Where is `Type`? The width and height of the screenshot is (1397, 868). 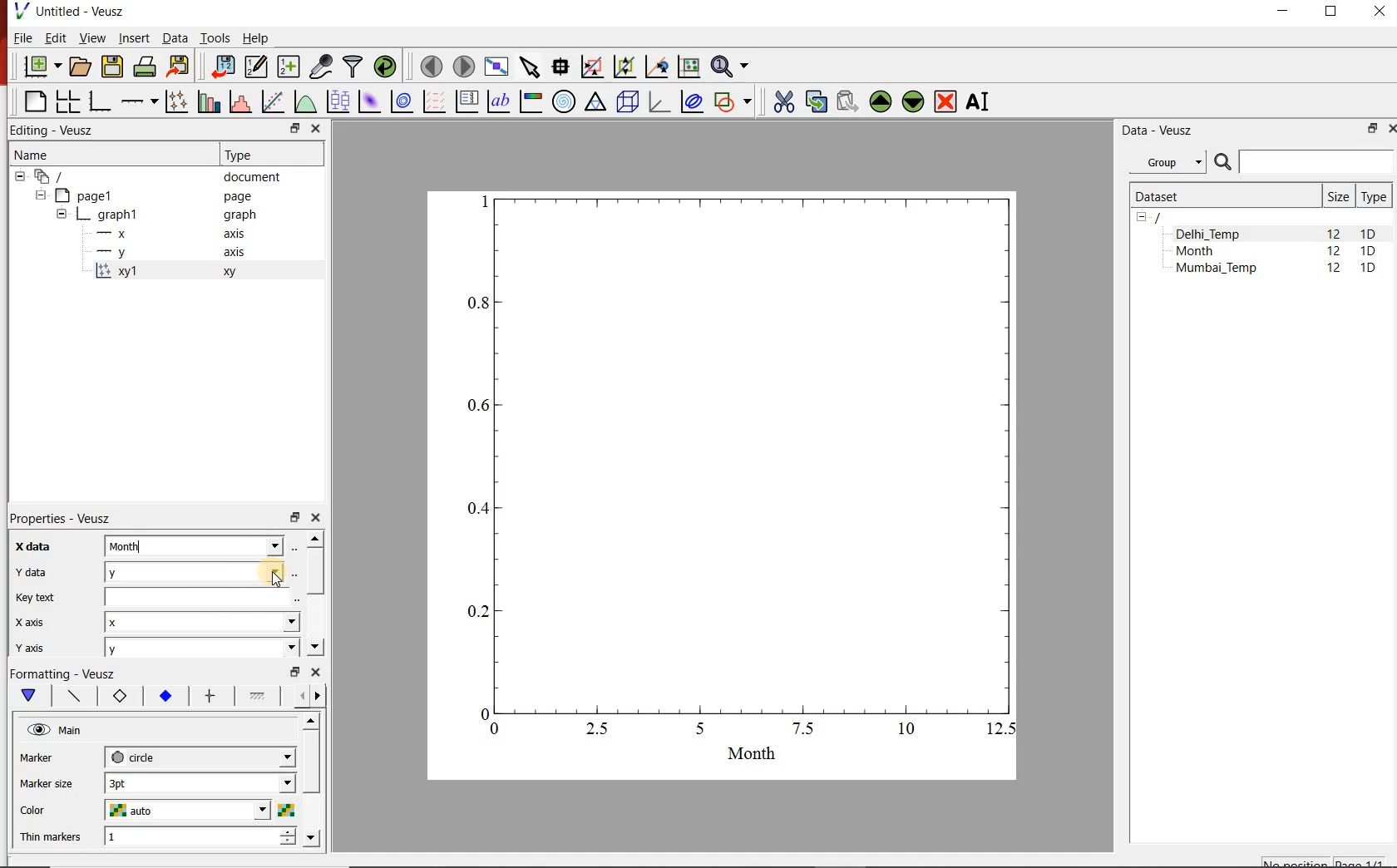
Type is located at coordinates (245, 155).